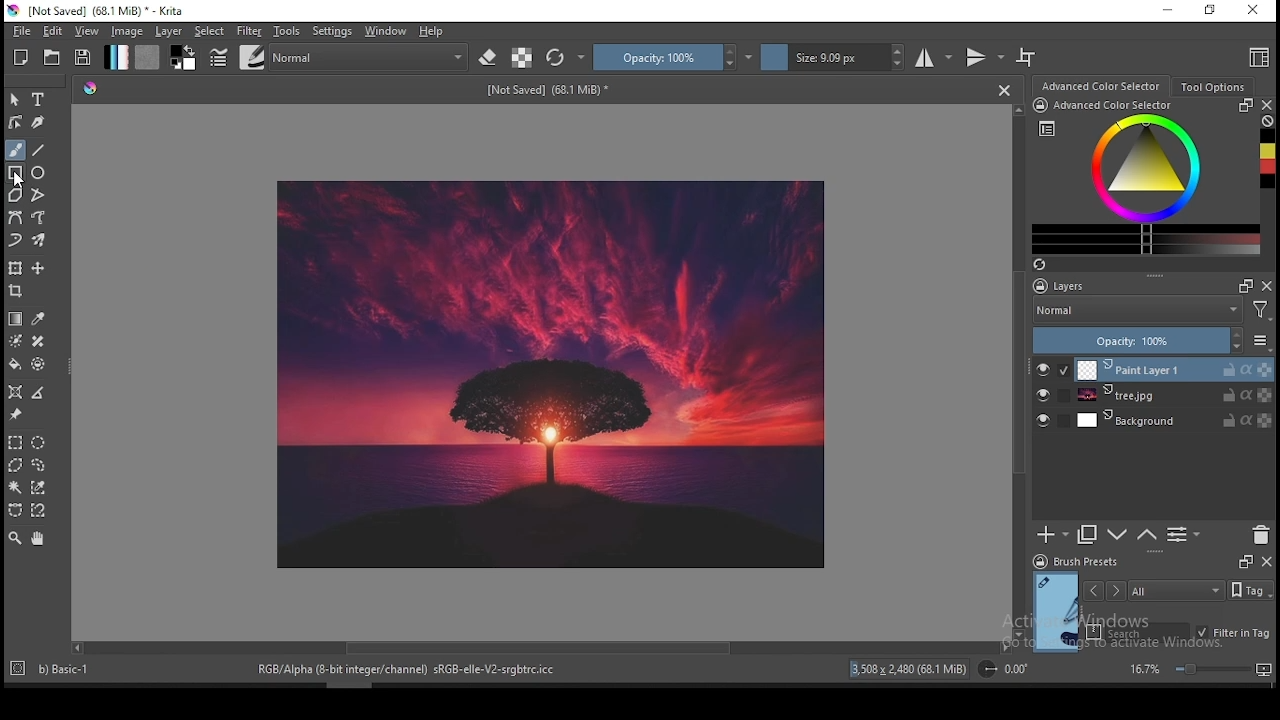  What do you see at coordinates (40, 393) in the screenshot?
I see `measure distance between two points` at bounding box center [40, 393].